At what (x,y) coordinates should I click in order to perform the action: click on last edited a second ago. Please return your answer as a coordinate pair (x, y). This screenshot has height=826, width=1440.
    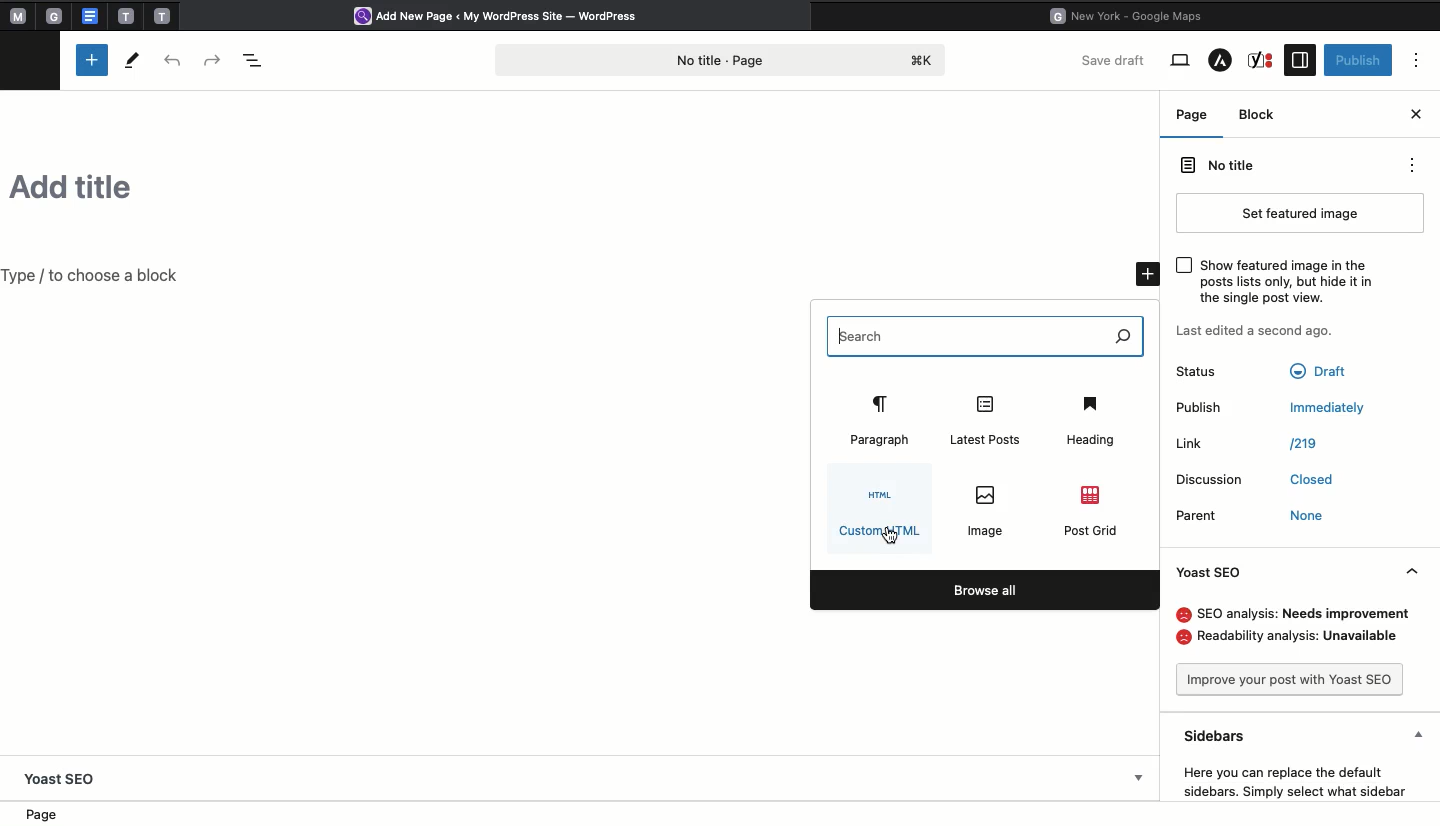
    Looking at the image, I should click on (1254, 333).